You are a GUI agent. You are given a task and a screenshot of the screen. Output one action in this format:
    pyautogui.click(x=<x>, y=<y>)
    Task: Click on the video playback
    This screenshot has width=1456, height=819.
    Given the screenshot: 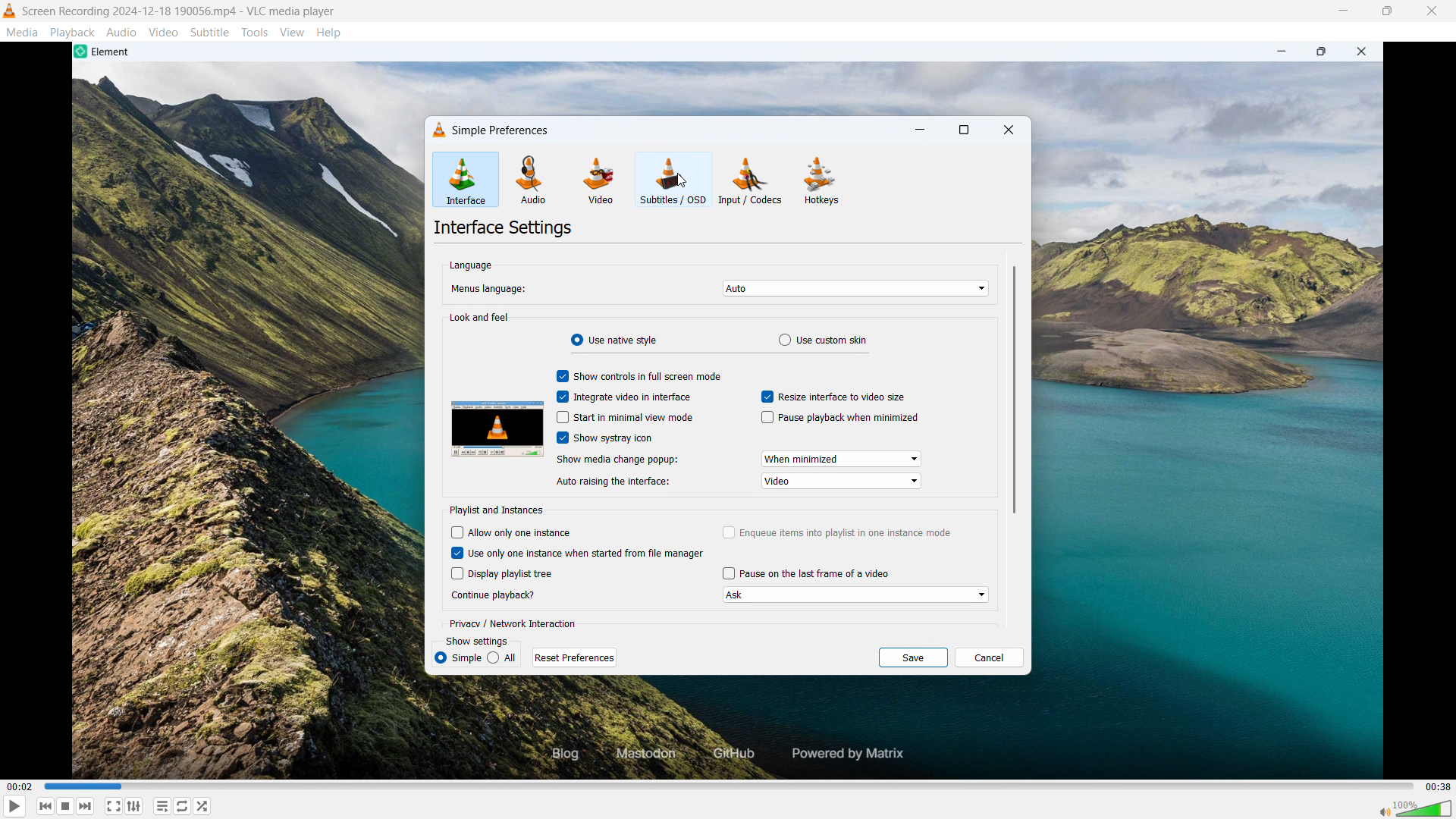 What is the action you would take?
    pyautogui.click(x=720, y=73)
    